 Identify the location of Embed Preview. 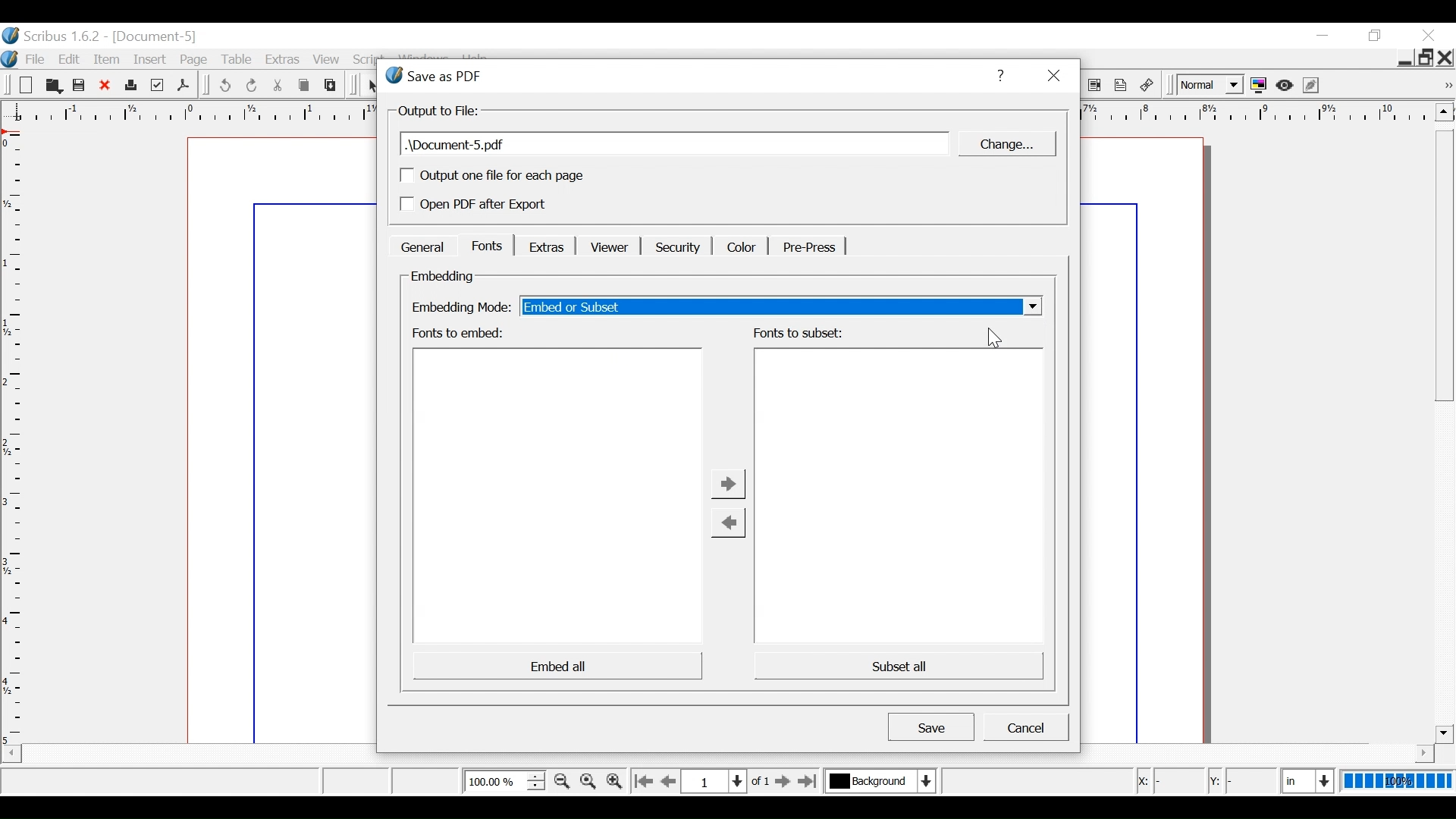
(558, 496).